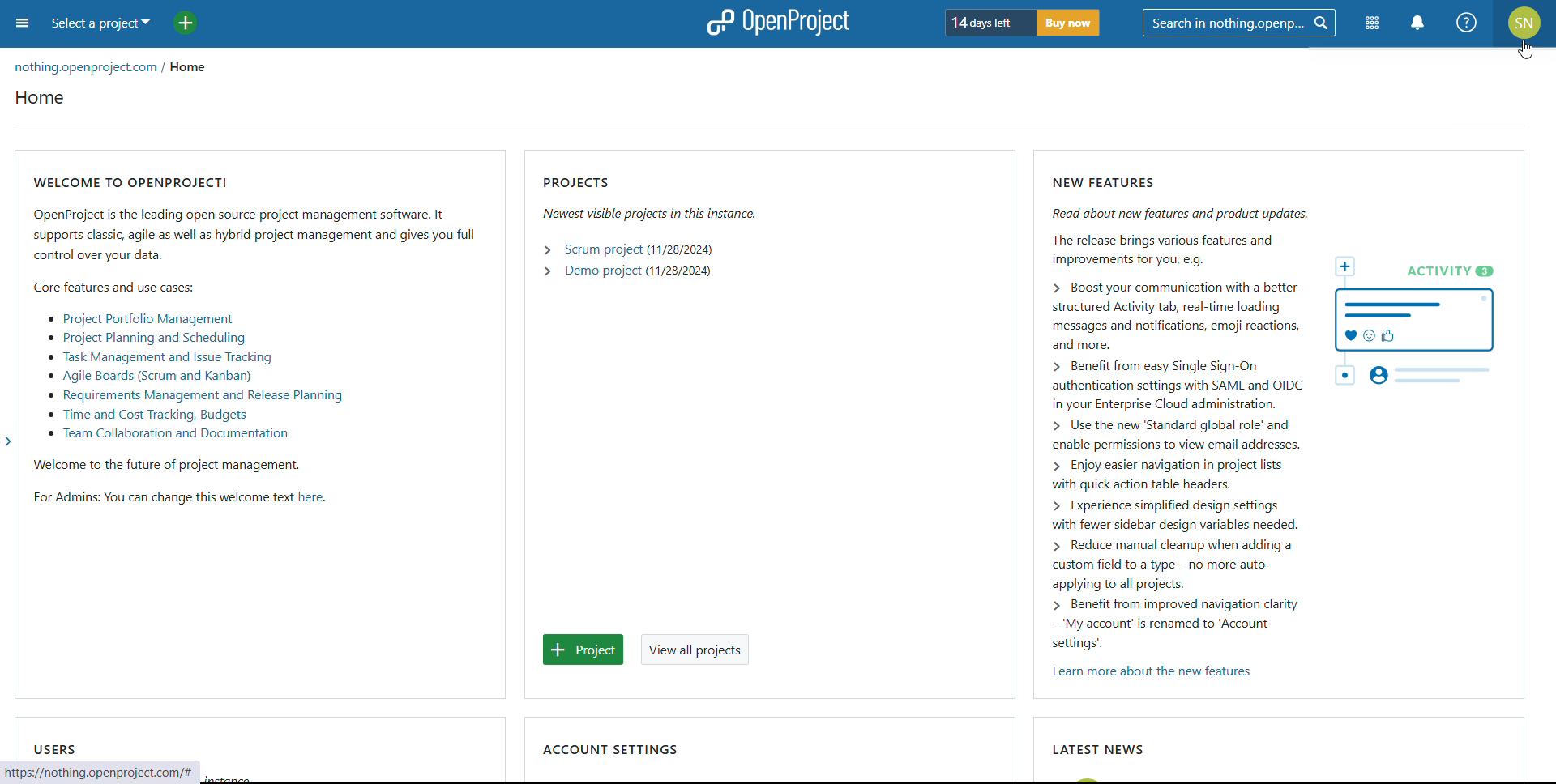 The image size is (1556, 784). Describe the element at coordinates (1068, 23) in the screenshot. I see `buy now` at that location.